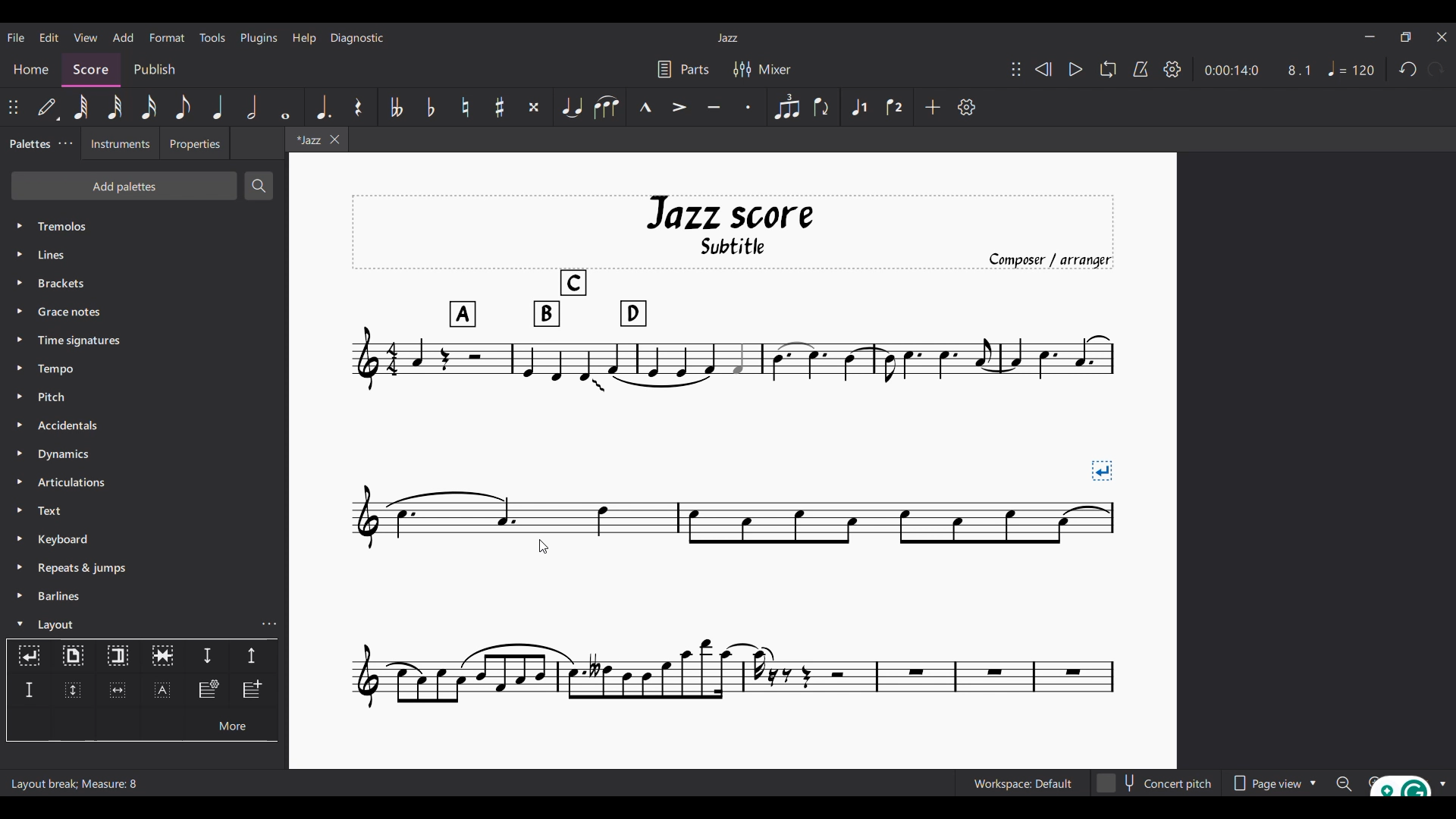  What do you see at coordinates (645, 107) in the screenshot?
I see `Marcato` at bounding box center [645, 107].